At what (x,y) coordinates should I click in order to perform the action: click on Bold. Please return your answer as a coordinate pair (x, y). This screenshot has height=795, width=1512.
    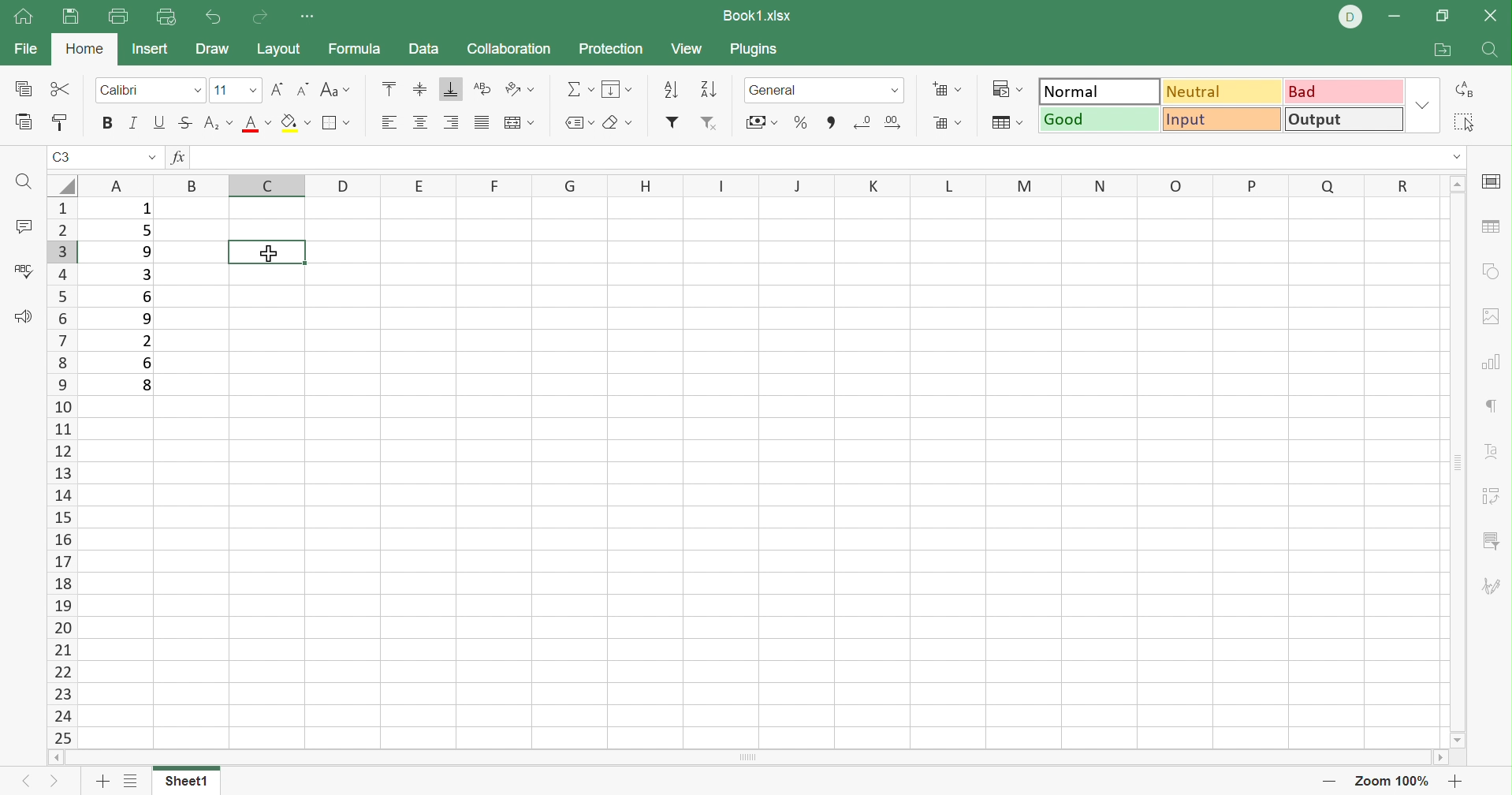
    Looking at the image, I should click on (106, 126).